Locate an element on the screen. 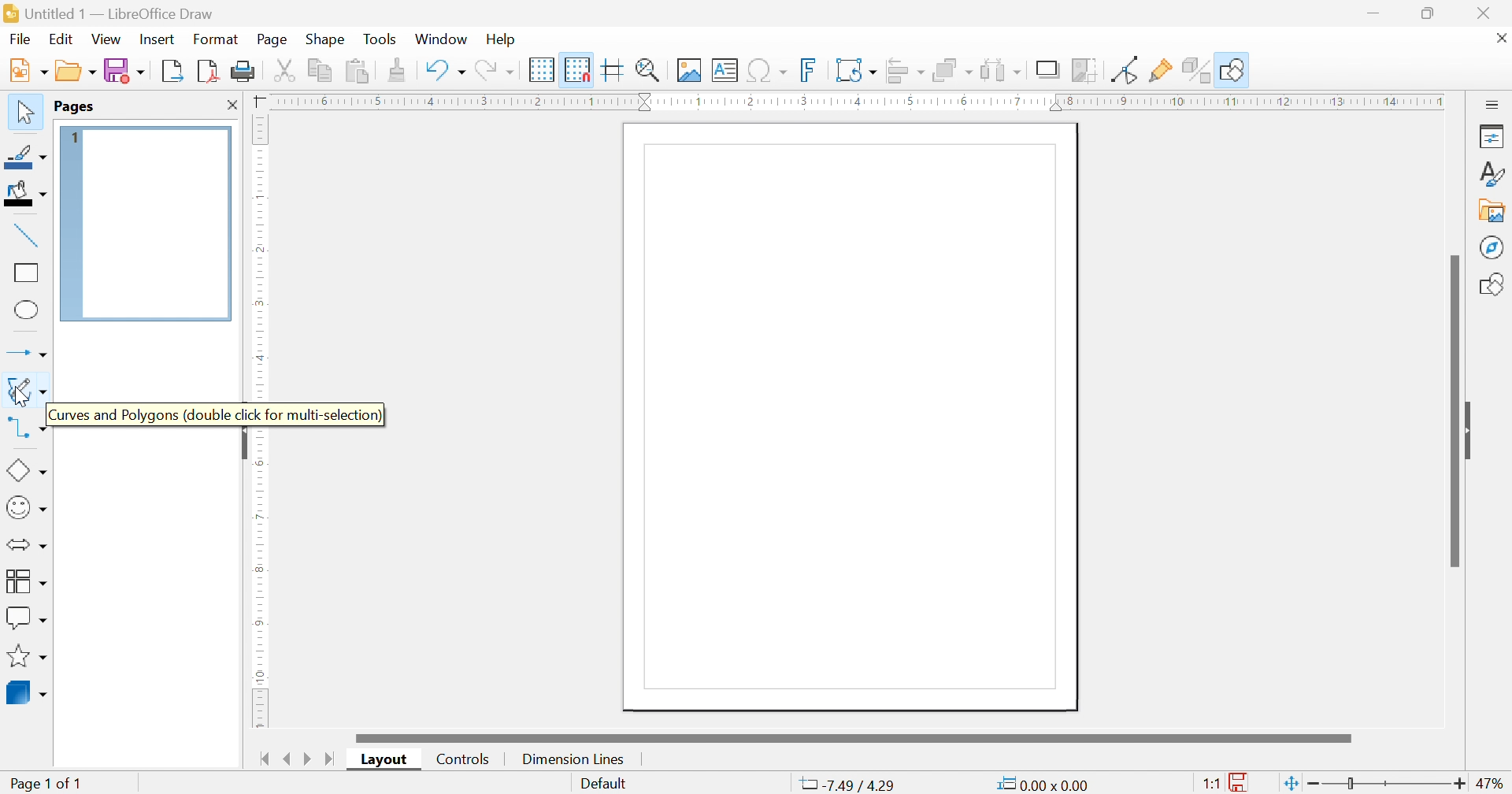  help is located at coordinates (501, 39).